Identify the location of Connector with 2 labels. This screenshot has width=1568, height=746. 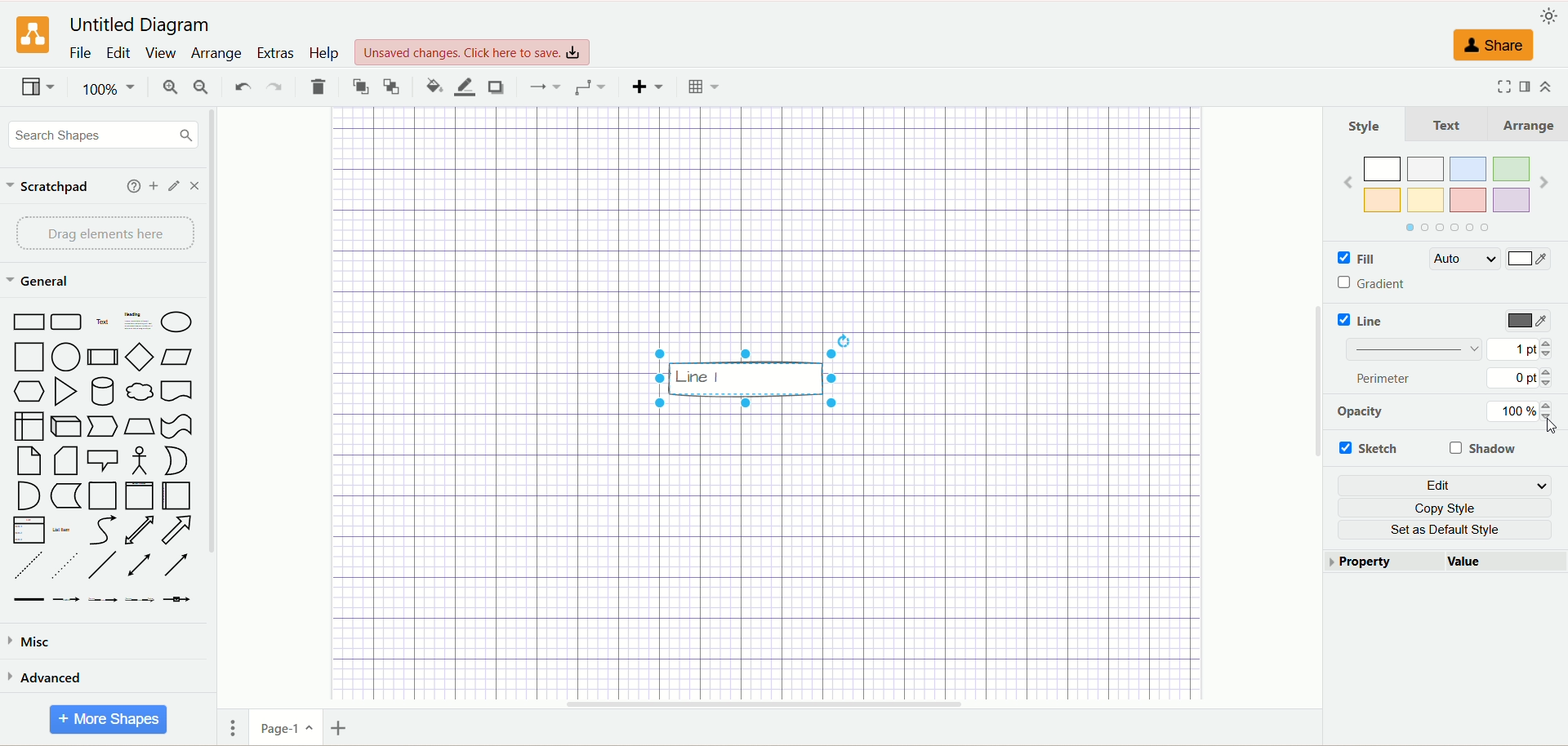
(100, 601).